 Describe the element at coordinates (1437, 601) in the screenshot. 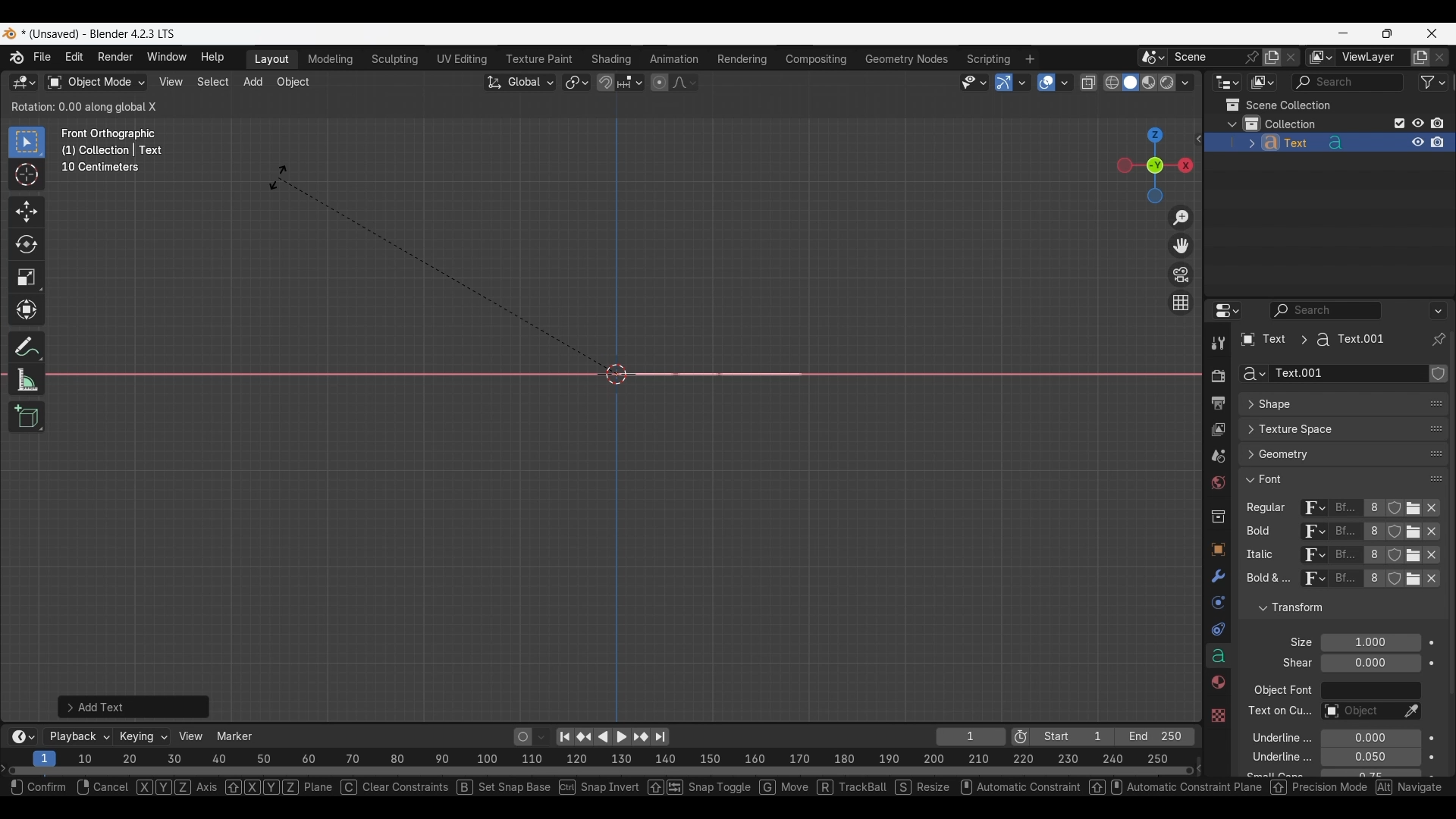

I see `Change order in the list` at that location.